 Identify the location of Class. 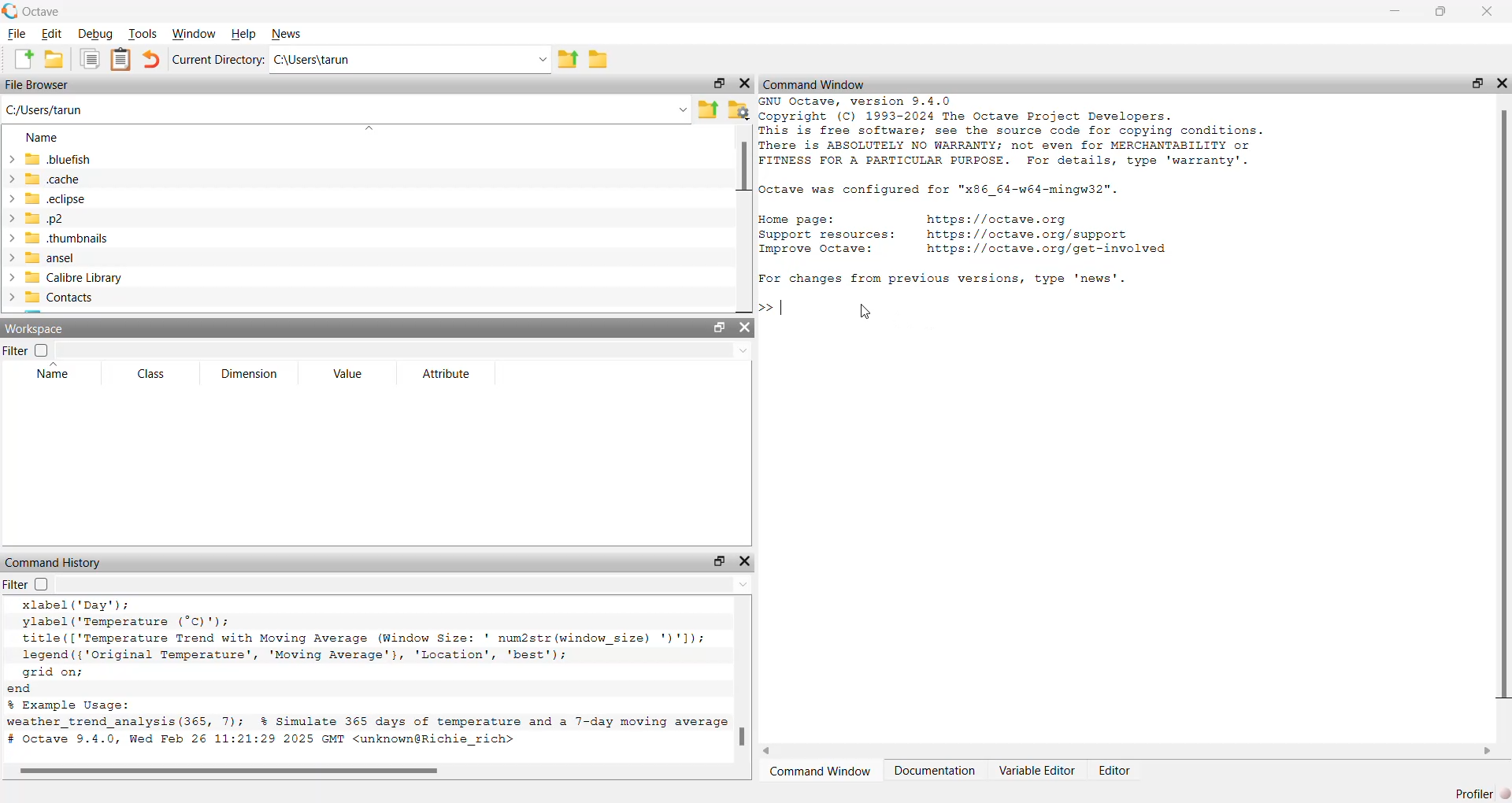
(153, 375).